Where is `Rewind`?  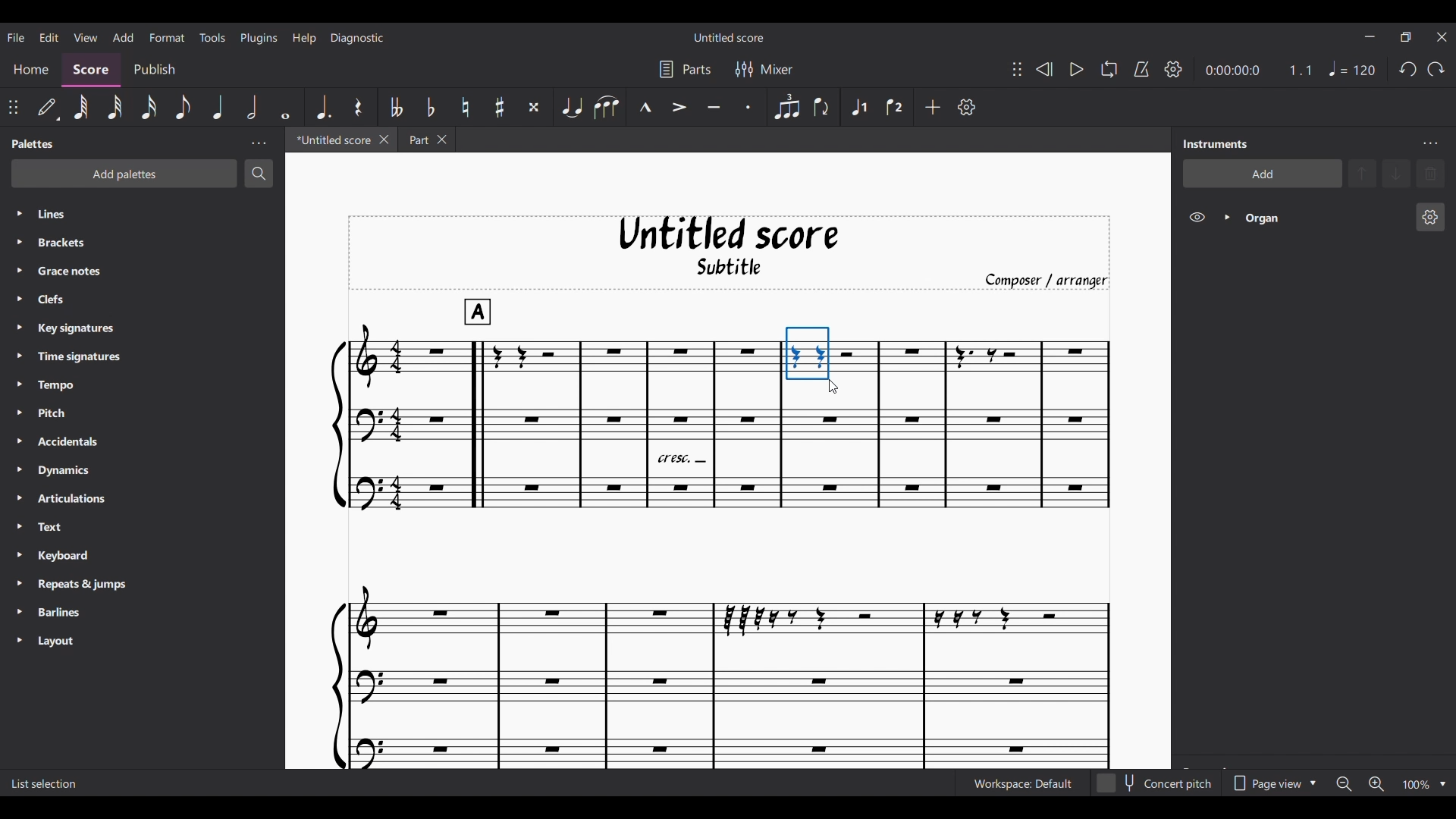 Rewind is located at coordinates (1045, 69).